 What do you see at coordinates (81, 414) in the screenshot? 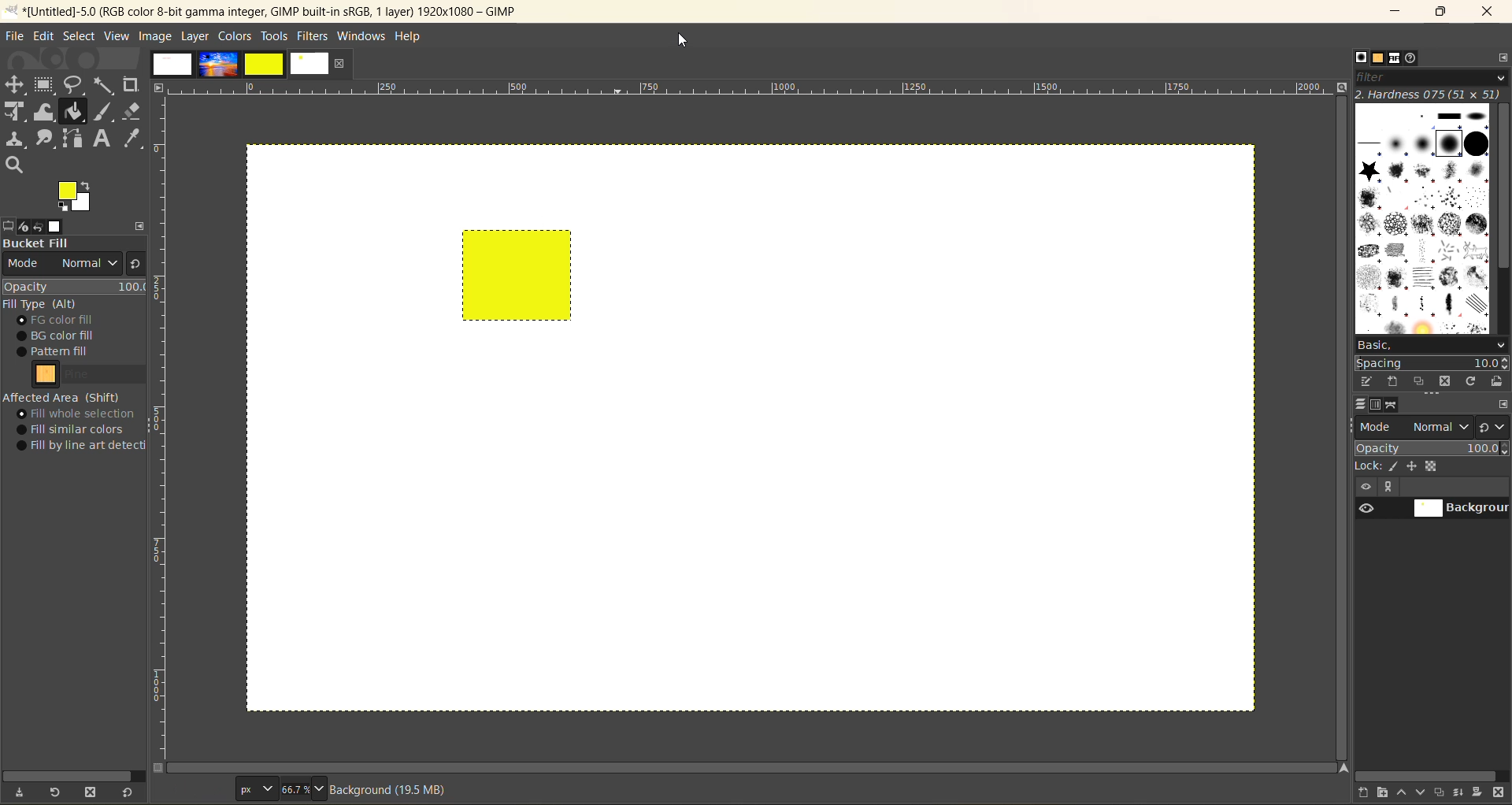
I see `fill whole selection` at bounding box center [81, 414].